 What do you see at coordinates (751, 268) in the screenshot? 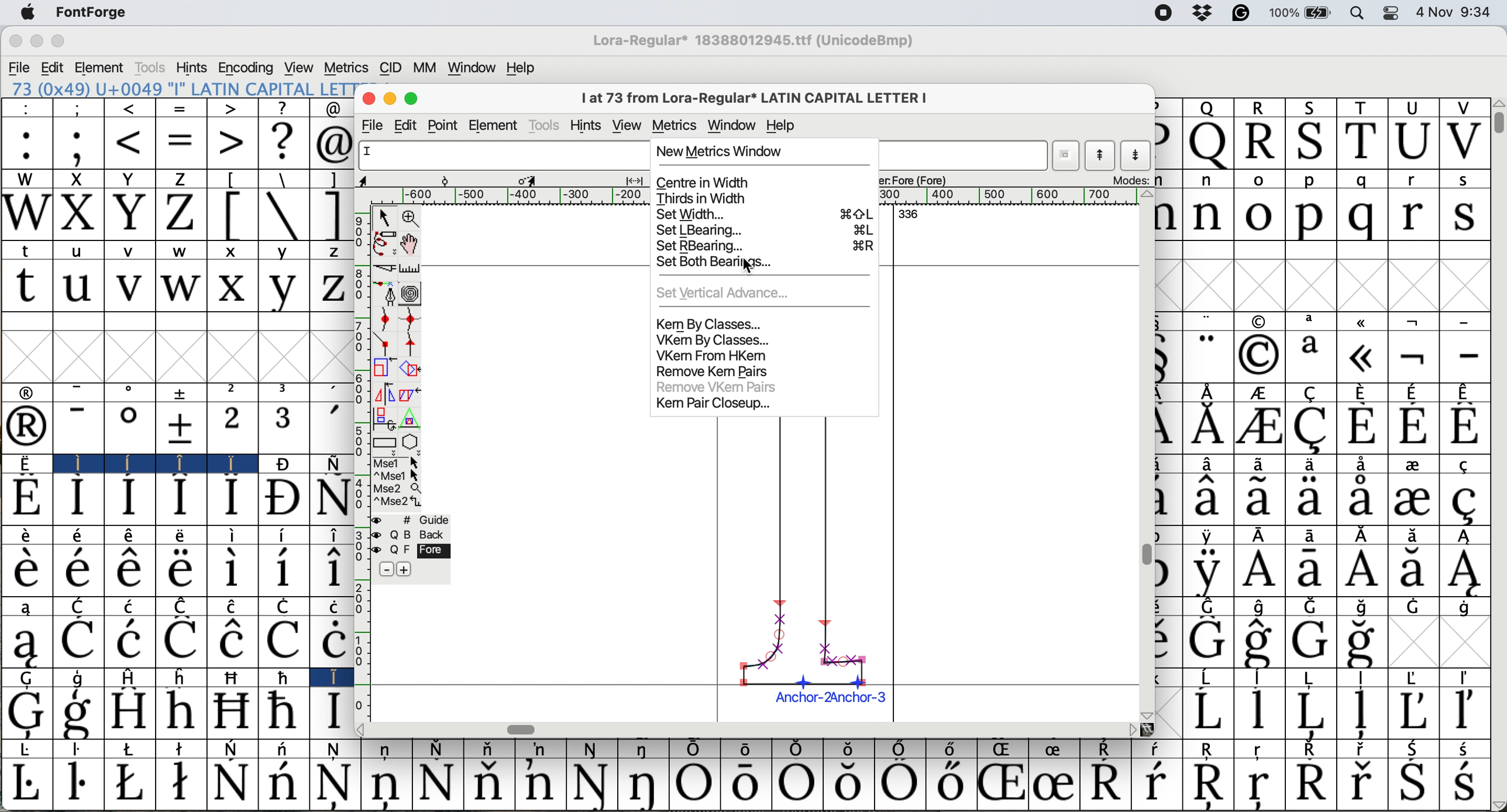
I see `cursor` at bounding box center [751, 268].